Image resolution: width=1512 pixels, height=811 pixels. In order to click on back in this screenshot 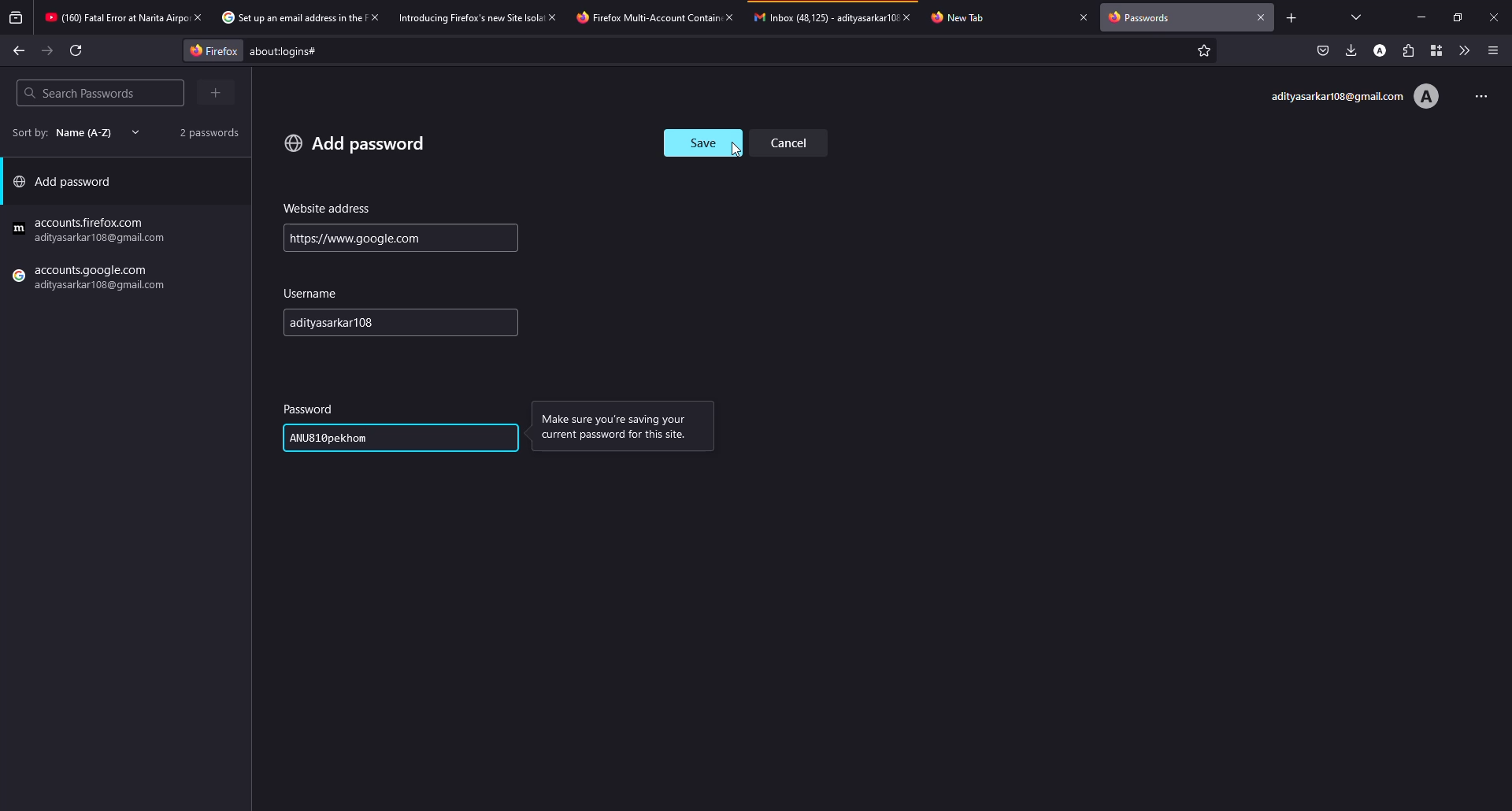, I will do `click(19, 50)`.